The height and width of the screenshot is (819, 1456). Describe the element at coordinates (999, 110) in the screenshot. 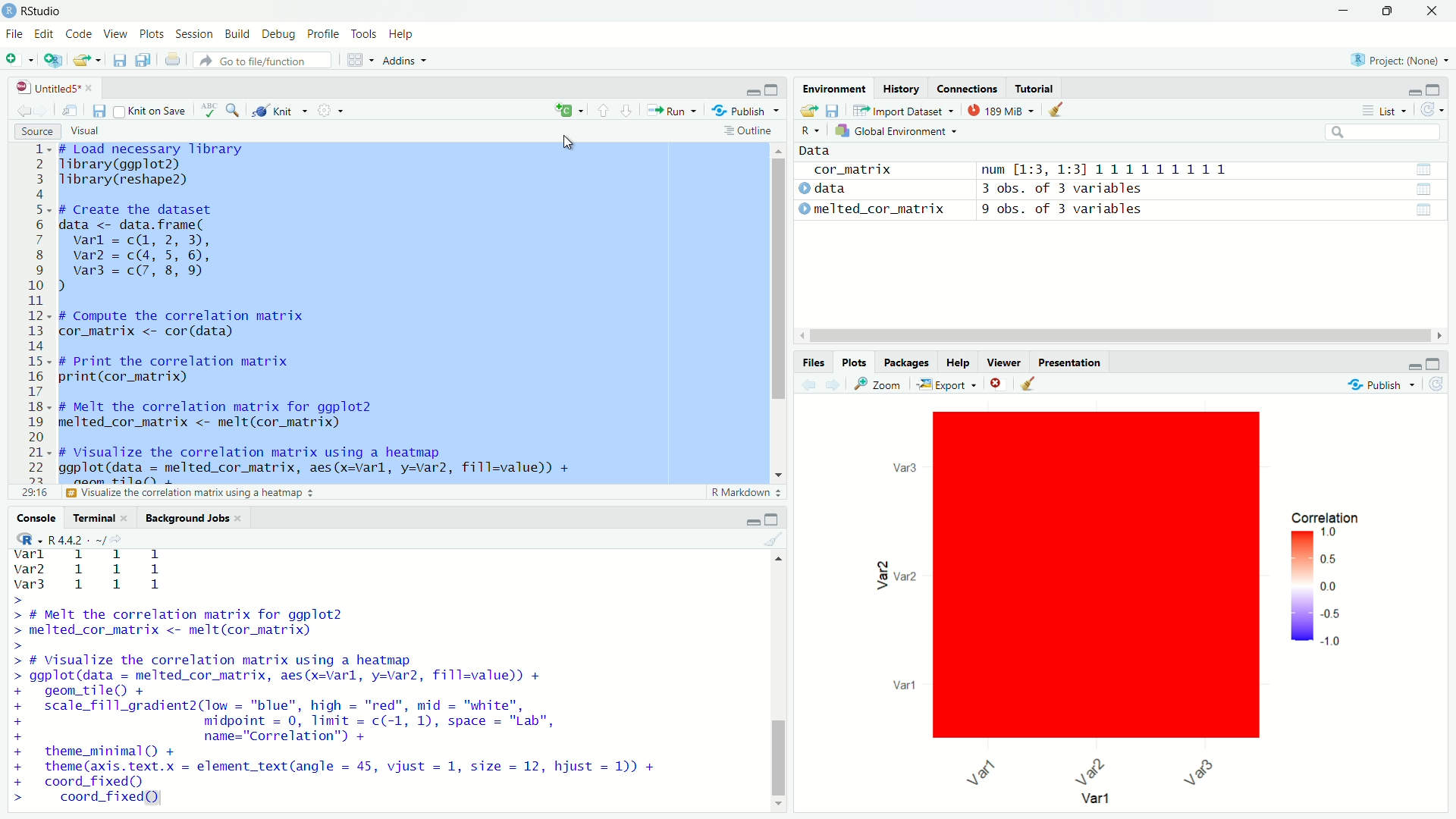

I see `memory usage` at that location.